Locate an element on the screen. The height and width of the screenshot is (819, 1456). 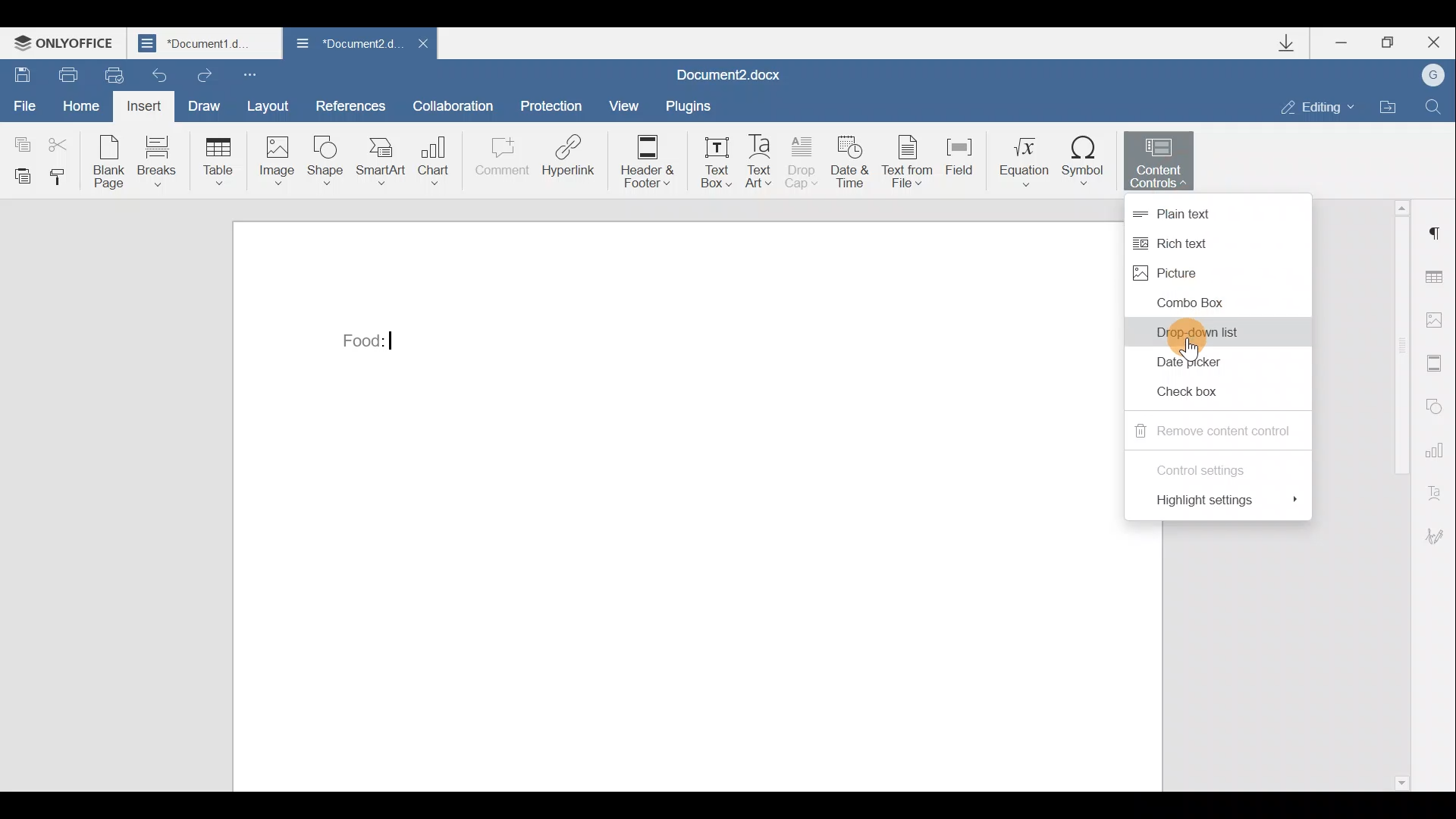
Editing mode is located at coordinates (1318, 106).